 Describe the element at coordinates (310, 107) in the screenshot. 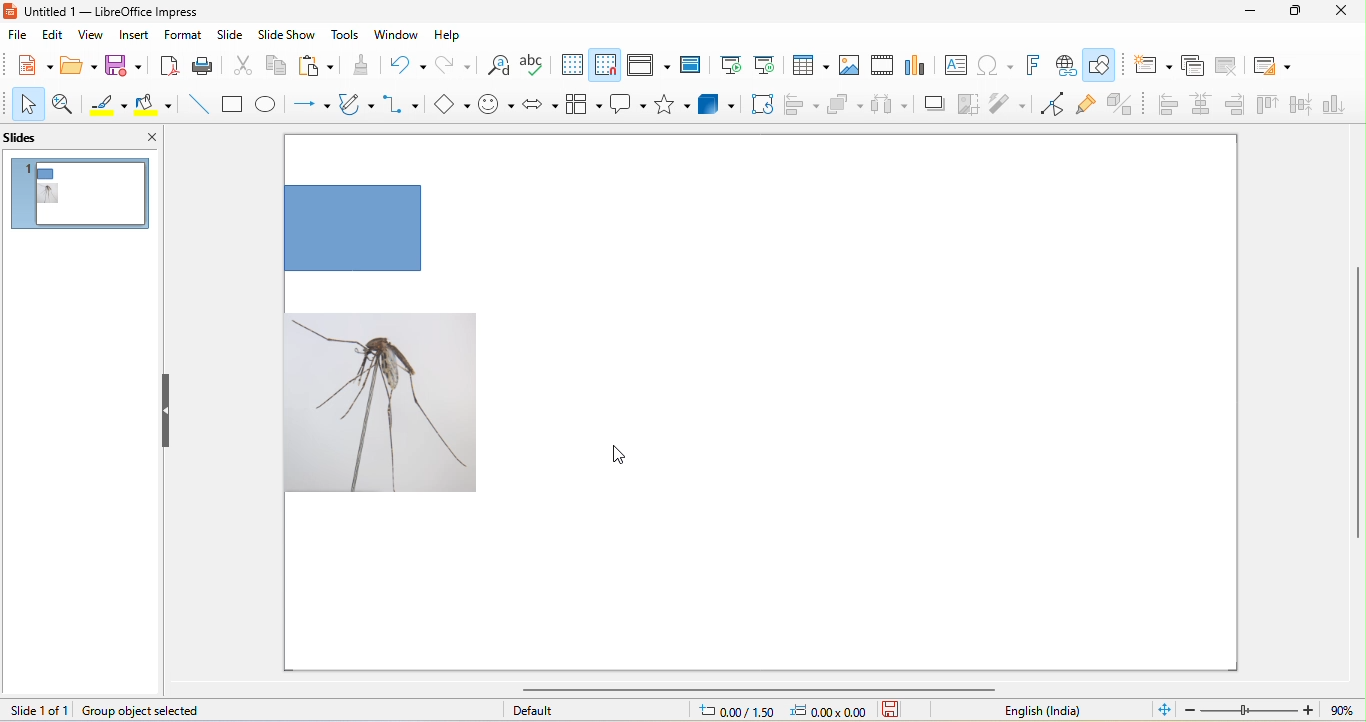

I see `lines and arrow` at that location.